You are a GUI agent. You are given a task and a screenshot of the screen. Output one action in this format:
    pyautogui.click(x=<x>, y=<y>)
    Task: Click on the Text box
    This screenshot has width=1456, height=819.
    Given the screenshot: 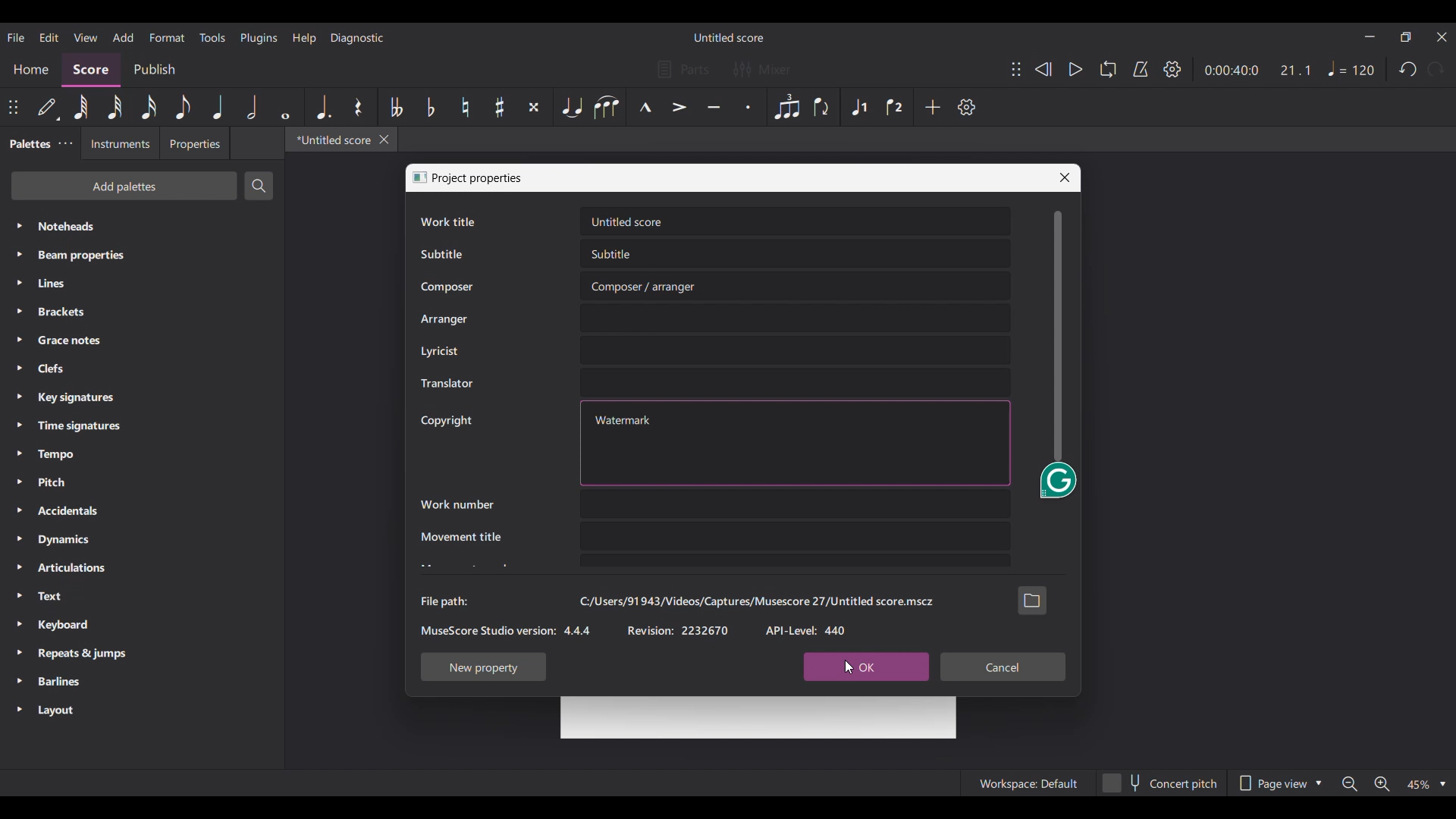 What is the action you would take?
    pyautogui.click(x=795, y=561)
    